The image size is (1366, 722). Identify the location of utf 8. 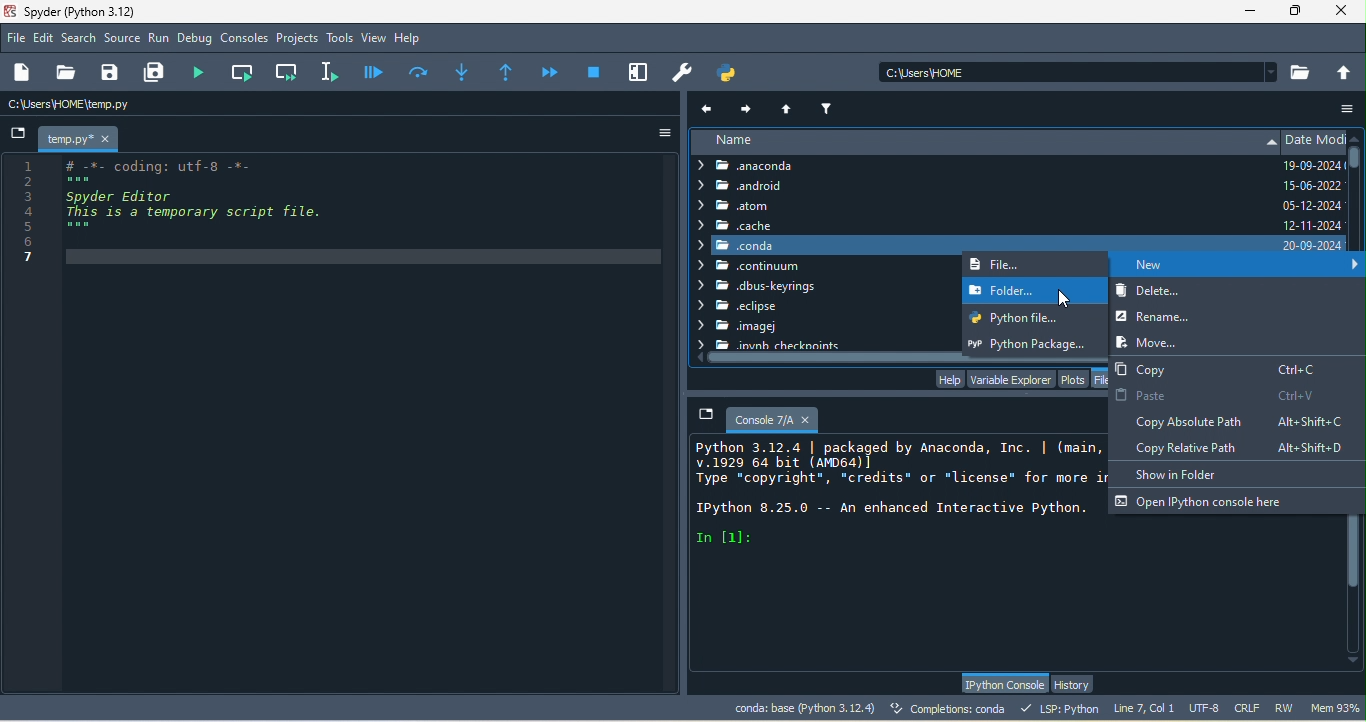
(1206, 709).